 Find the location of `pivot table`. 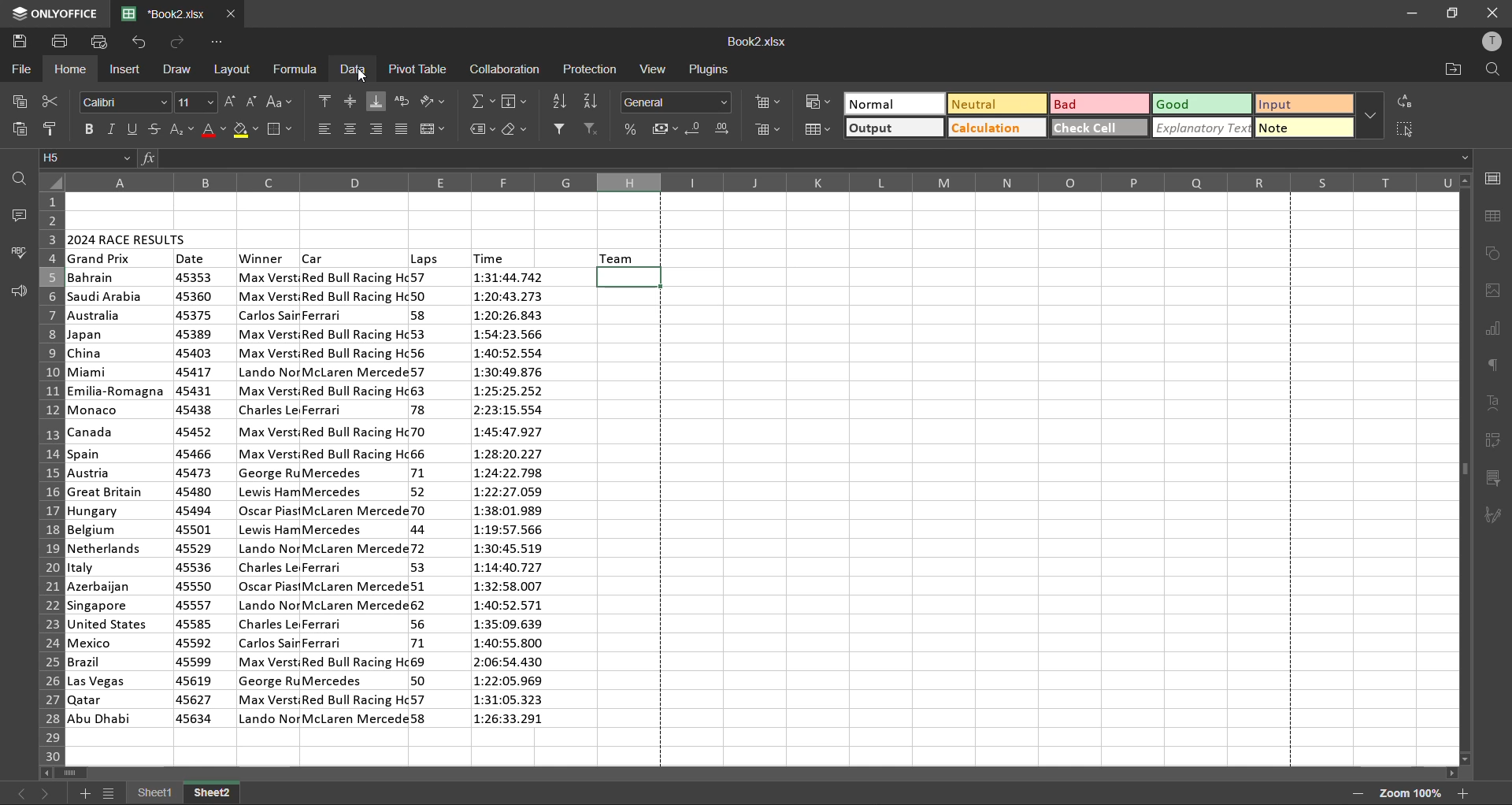

pivot table is located at coordinates (416, 69).